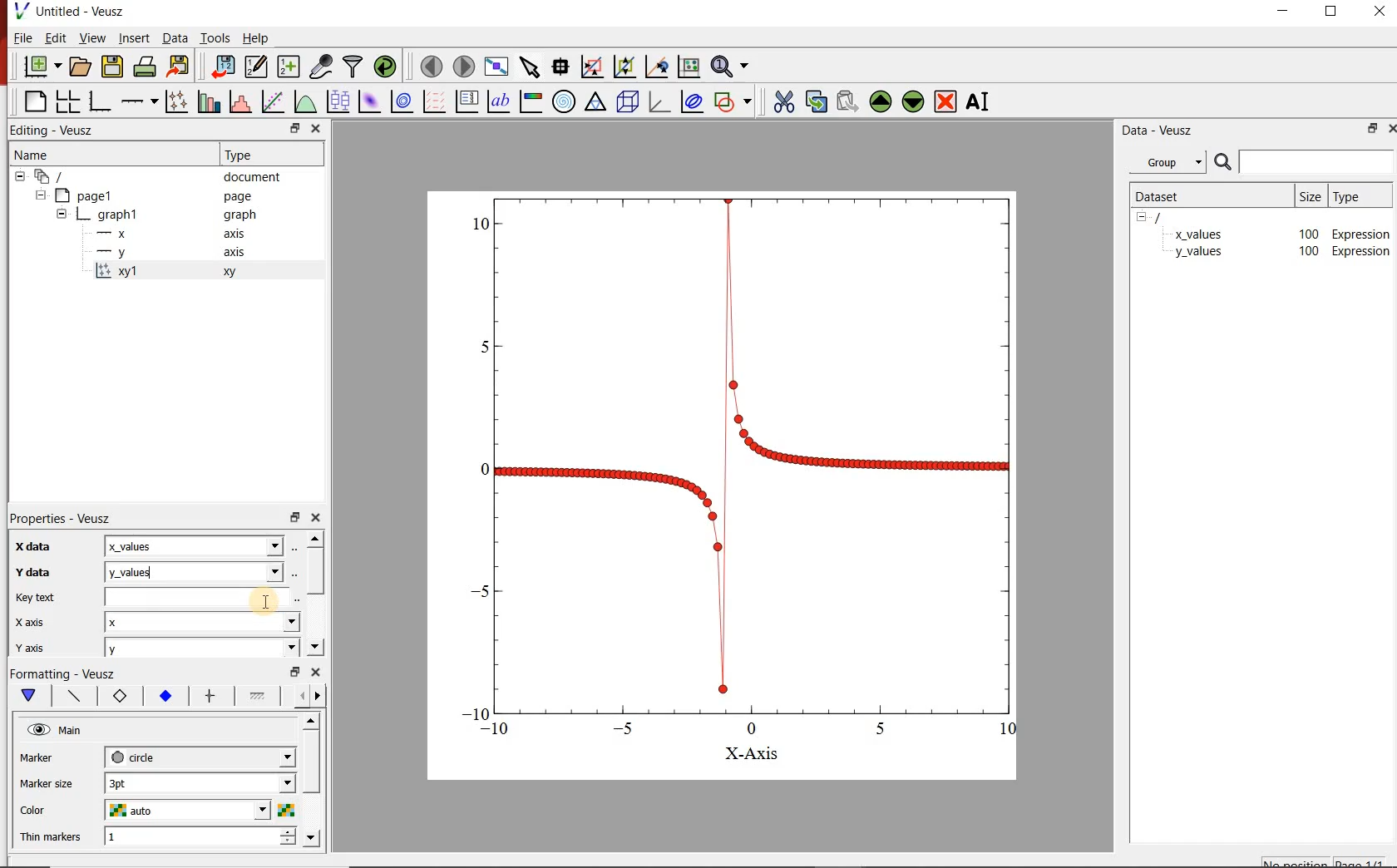 The width and height of the screenshot is (1397, 868). I want to click on plot vector field, so click(434, 101).